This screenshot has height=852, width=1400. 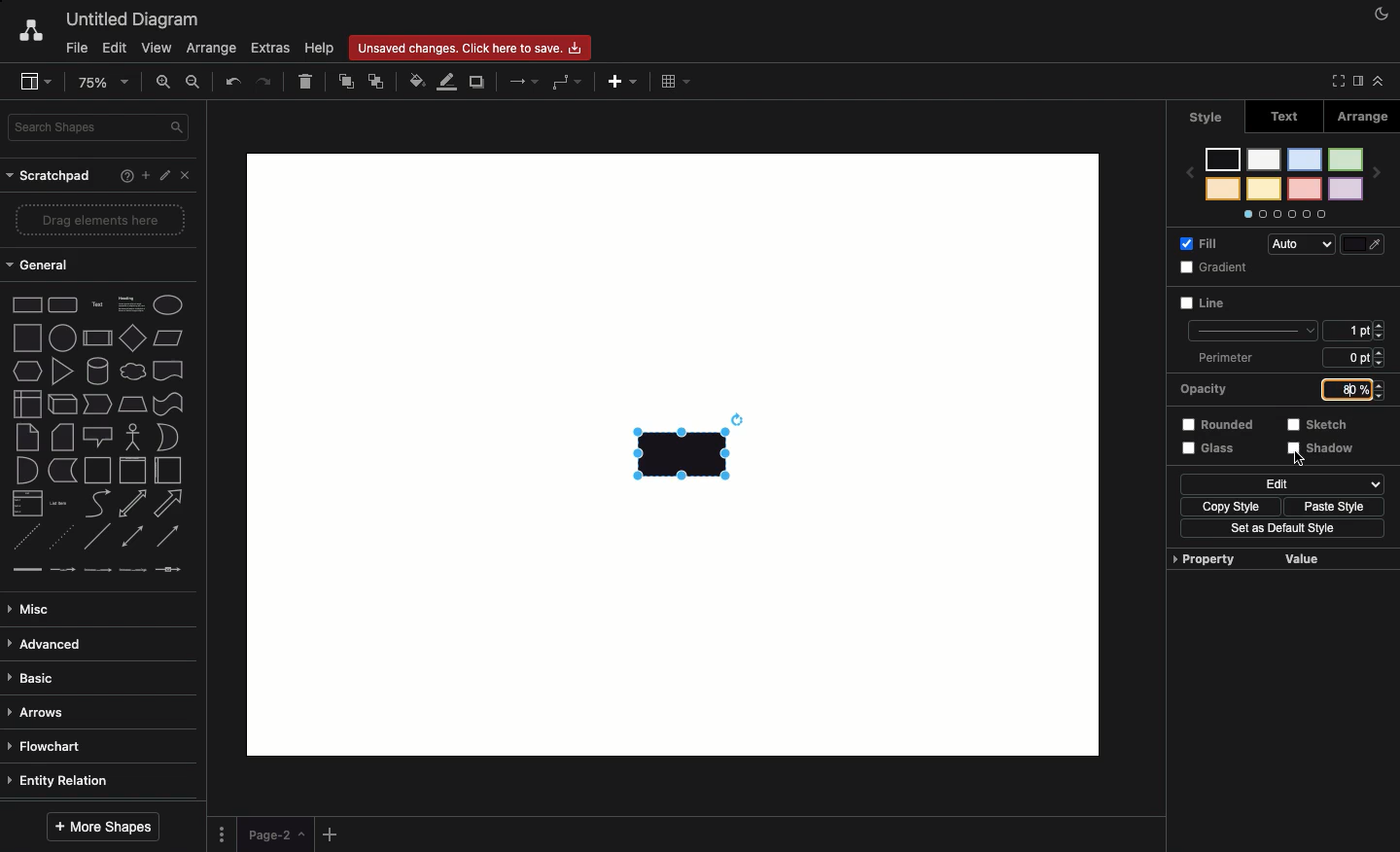 I want to click on Edit, so click(x=113, y=49).